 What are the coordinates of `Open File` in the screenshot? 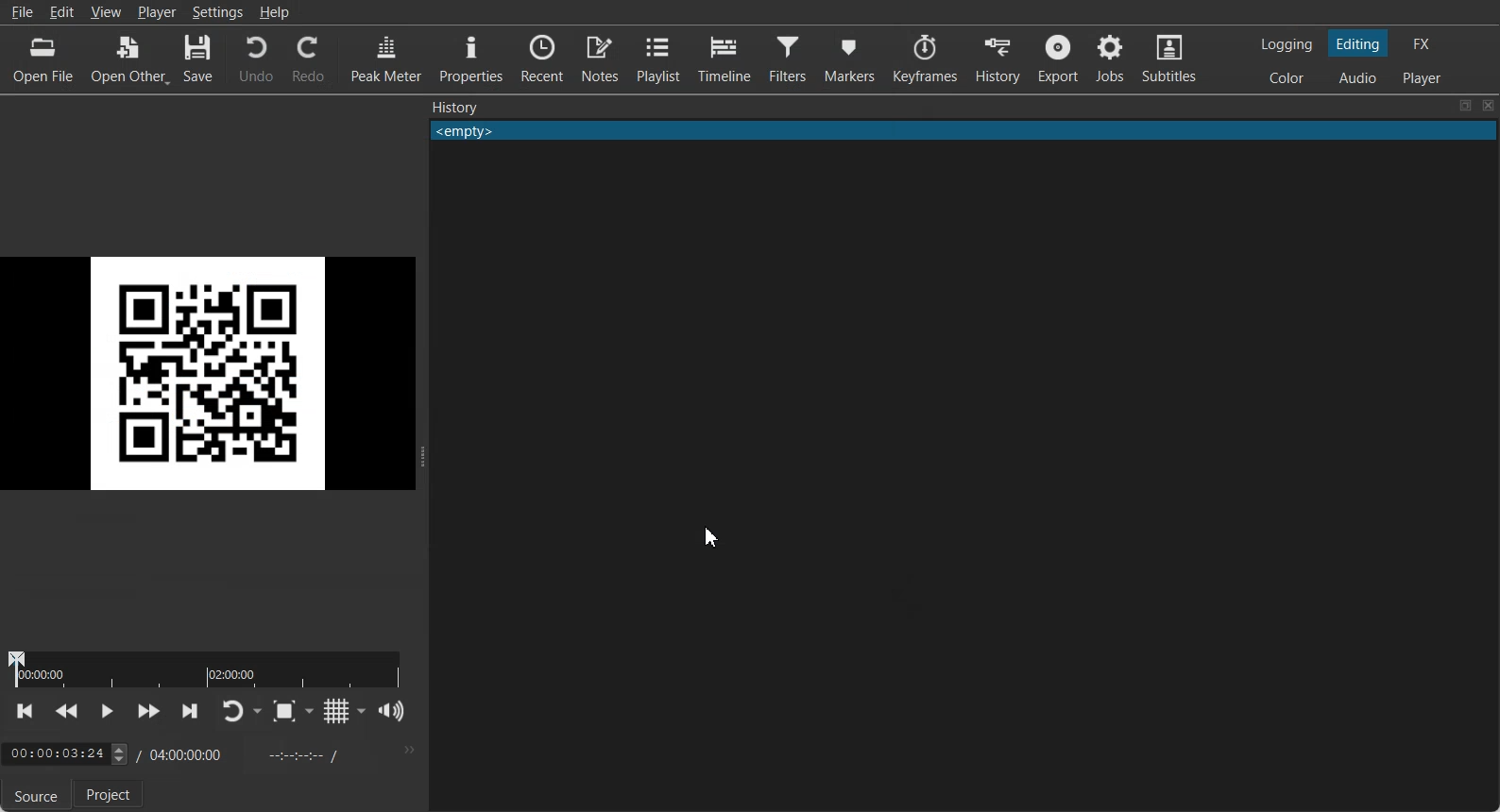 It's located at (44, 57).